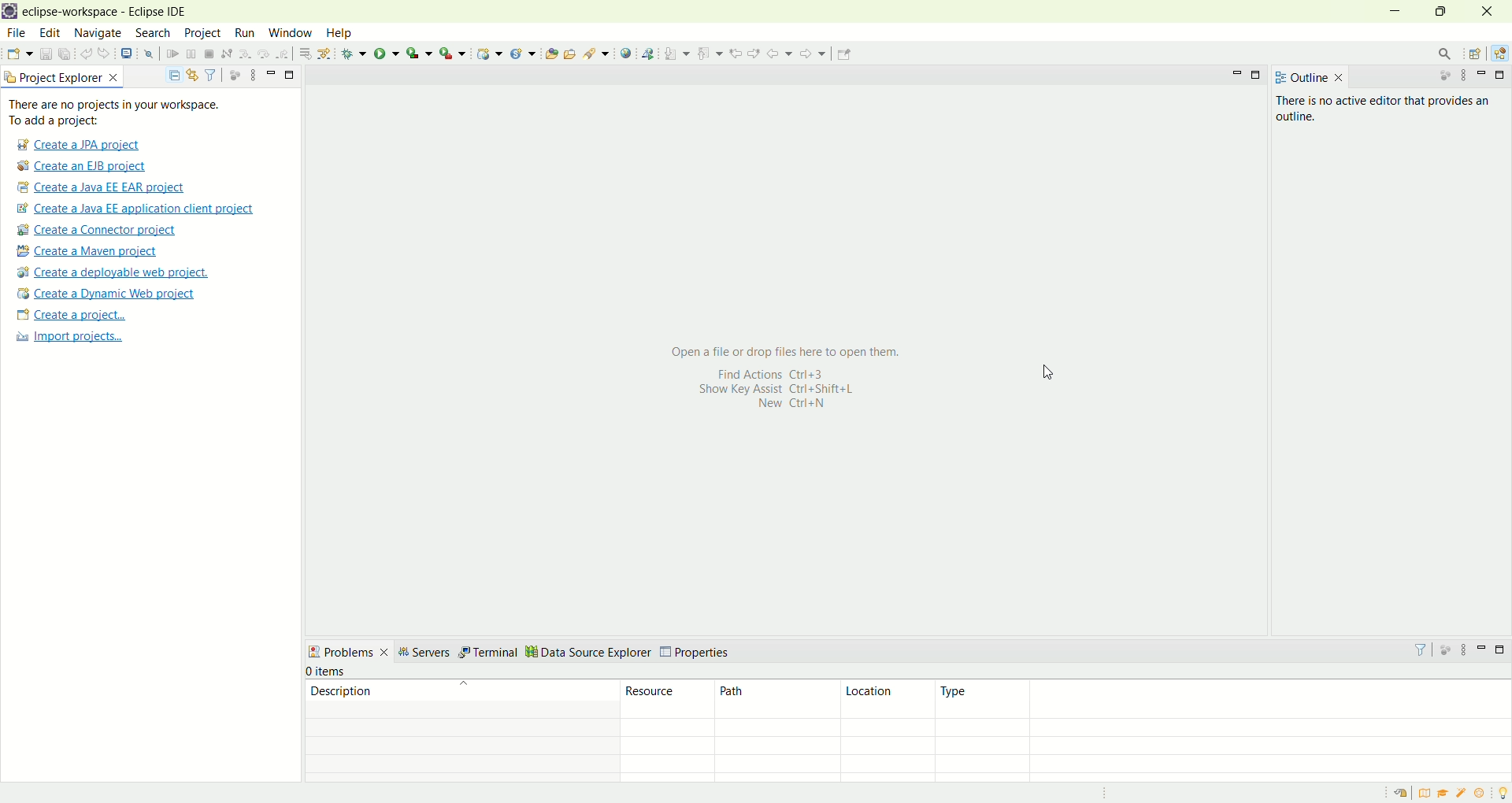  I want to click on minimize, so click(1393, 9).